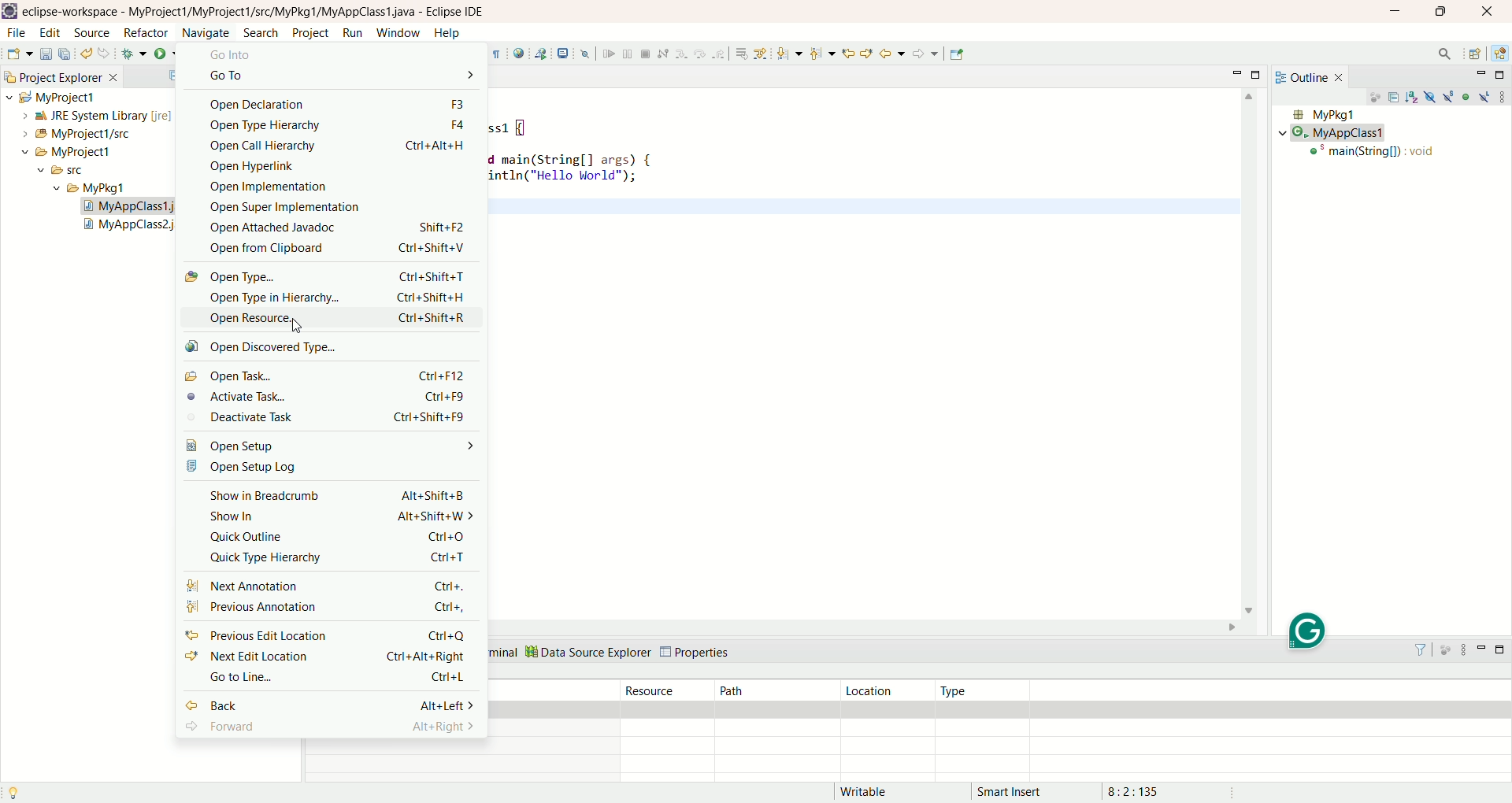 This screenshot has width=1512, height=803. Describe the element at coordinates (587, 650) in the screenshot. I see `data source explorer` at that location.